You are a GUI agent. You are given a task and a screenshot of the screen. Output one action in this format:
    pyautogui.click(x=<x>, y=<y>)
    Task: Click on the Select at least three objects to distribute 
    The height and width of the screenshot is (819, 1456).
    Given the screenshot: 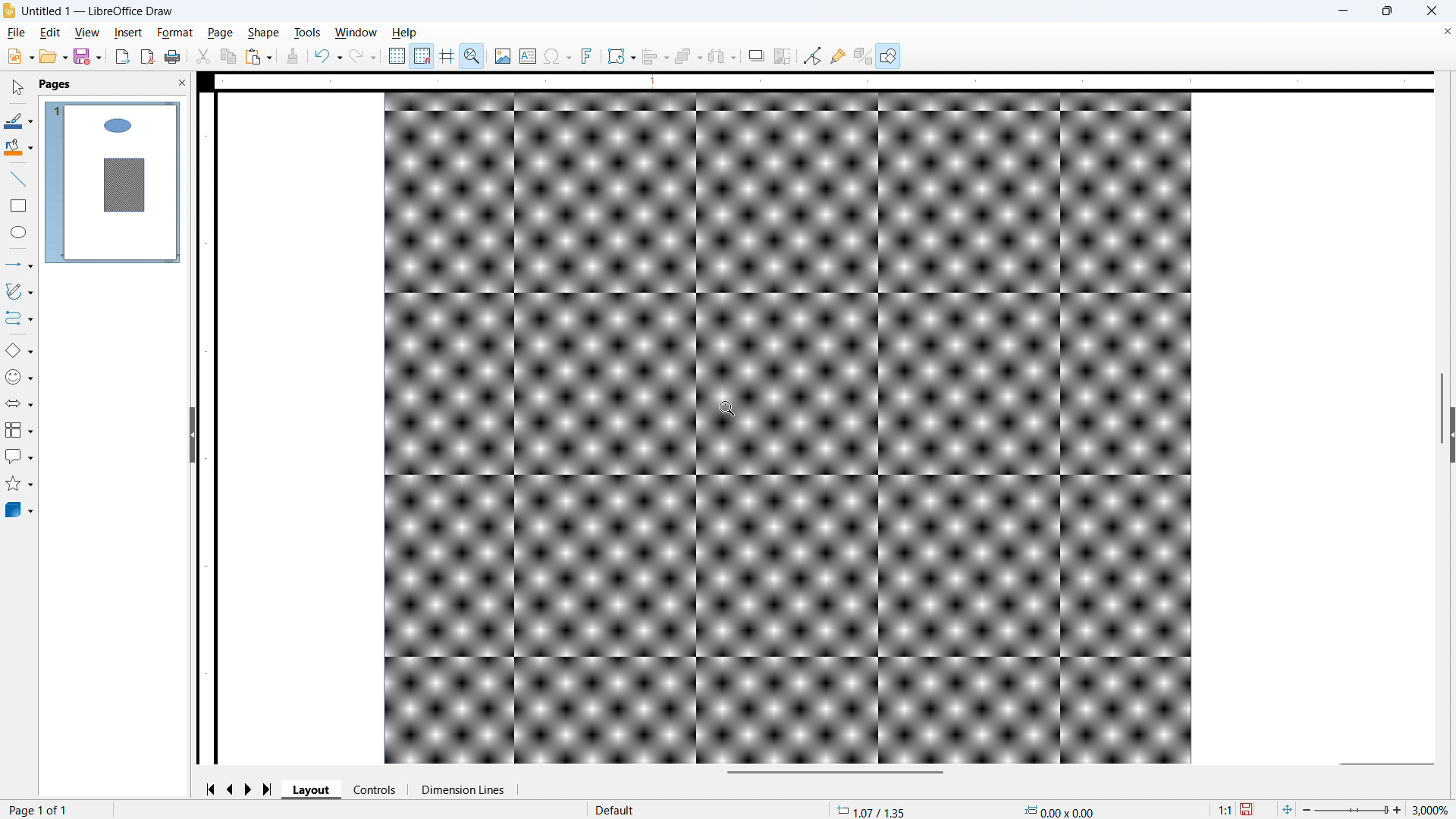 What is the action you would take?
    pyautogui.click(x=723, y=56)
    